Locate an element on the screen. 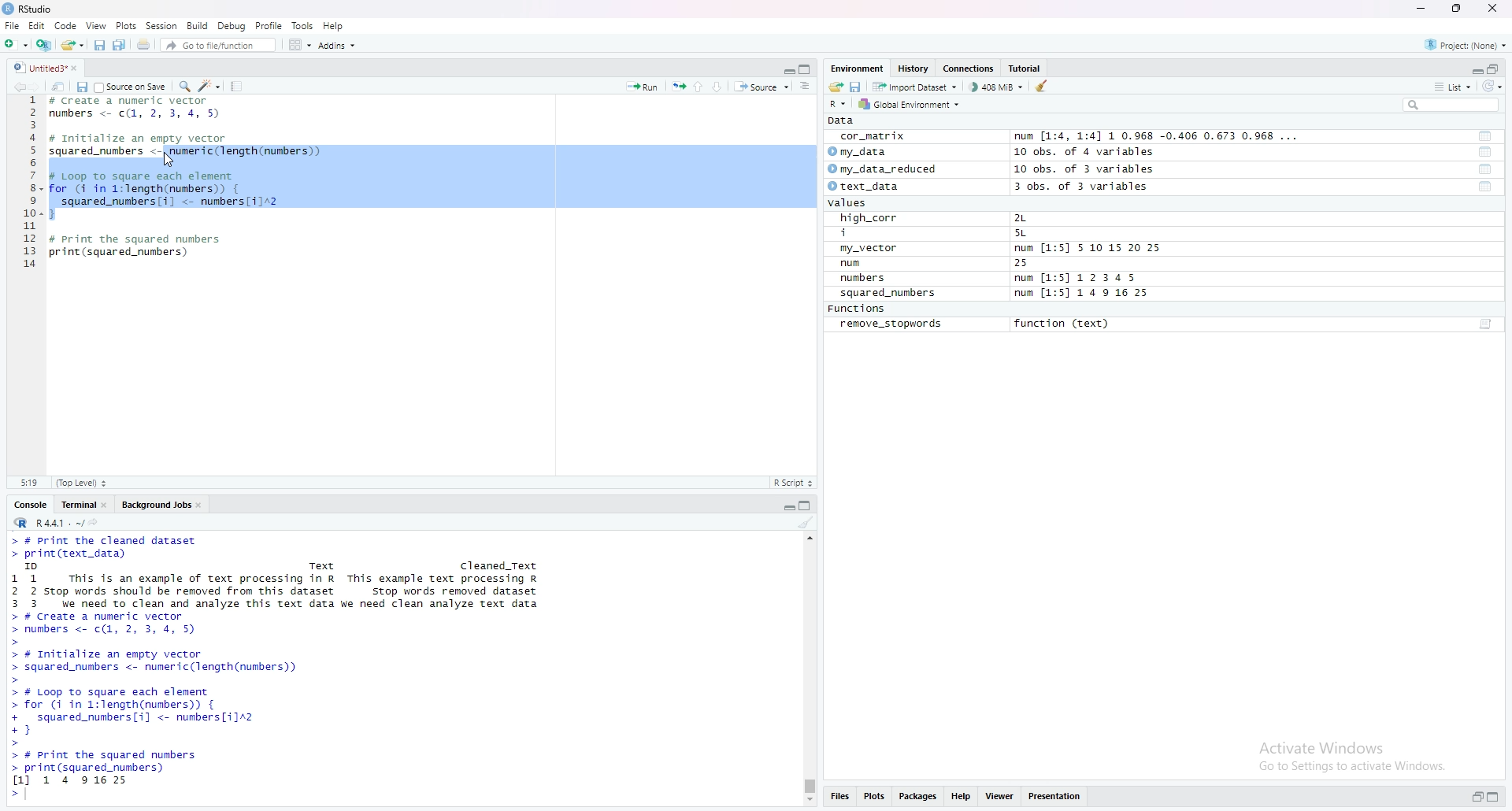 Image resolution: width=1512 pixels, height=811 pixels. Edit is located at coordinates (36, 25).